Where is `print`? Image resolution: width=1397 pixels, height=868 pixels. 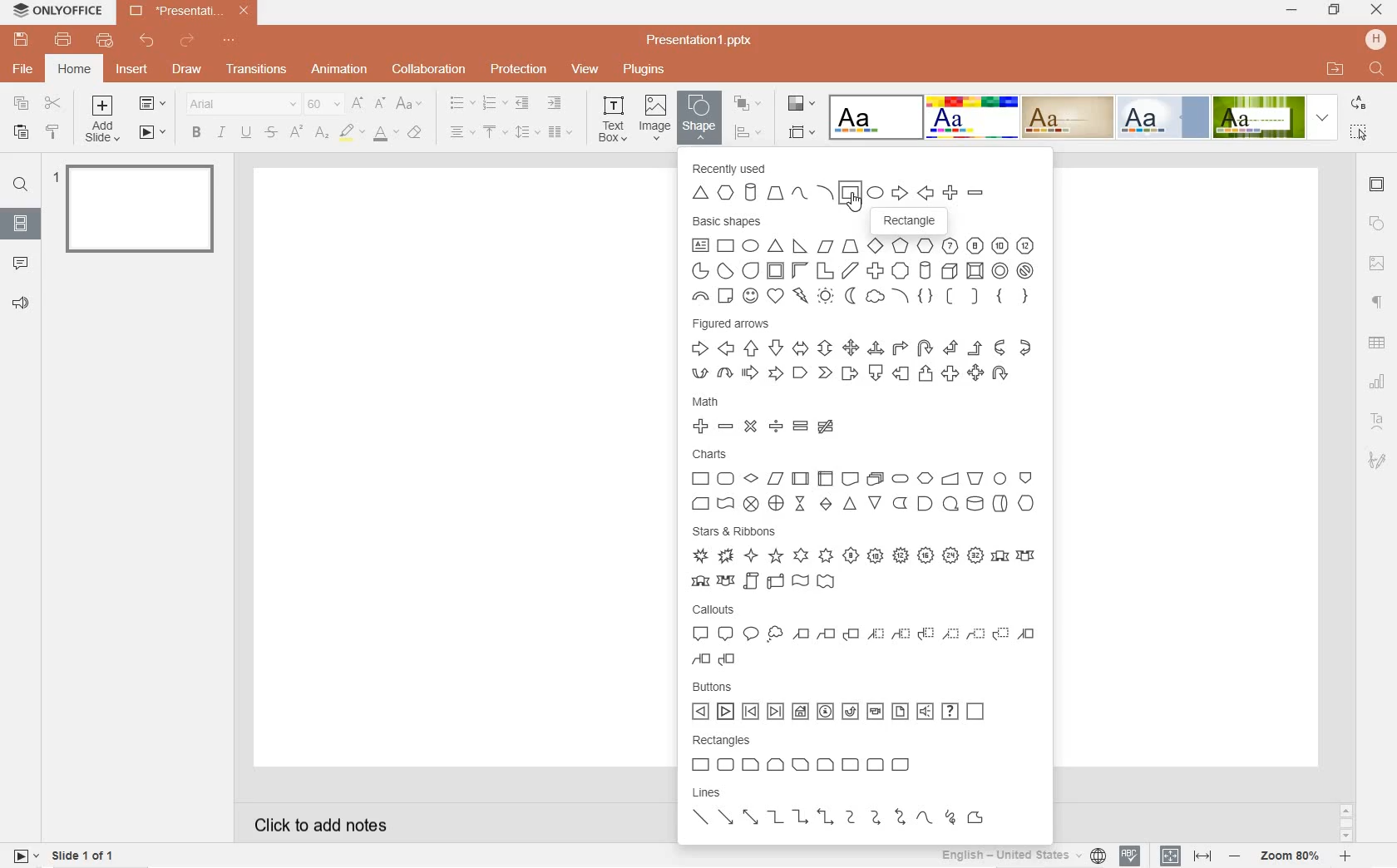 print is located at coordinates (64, 40).